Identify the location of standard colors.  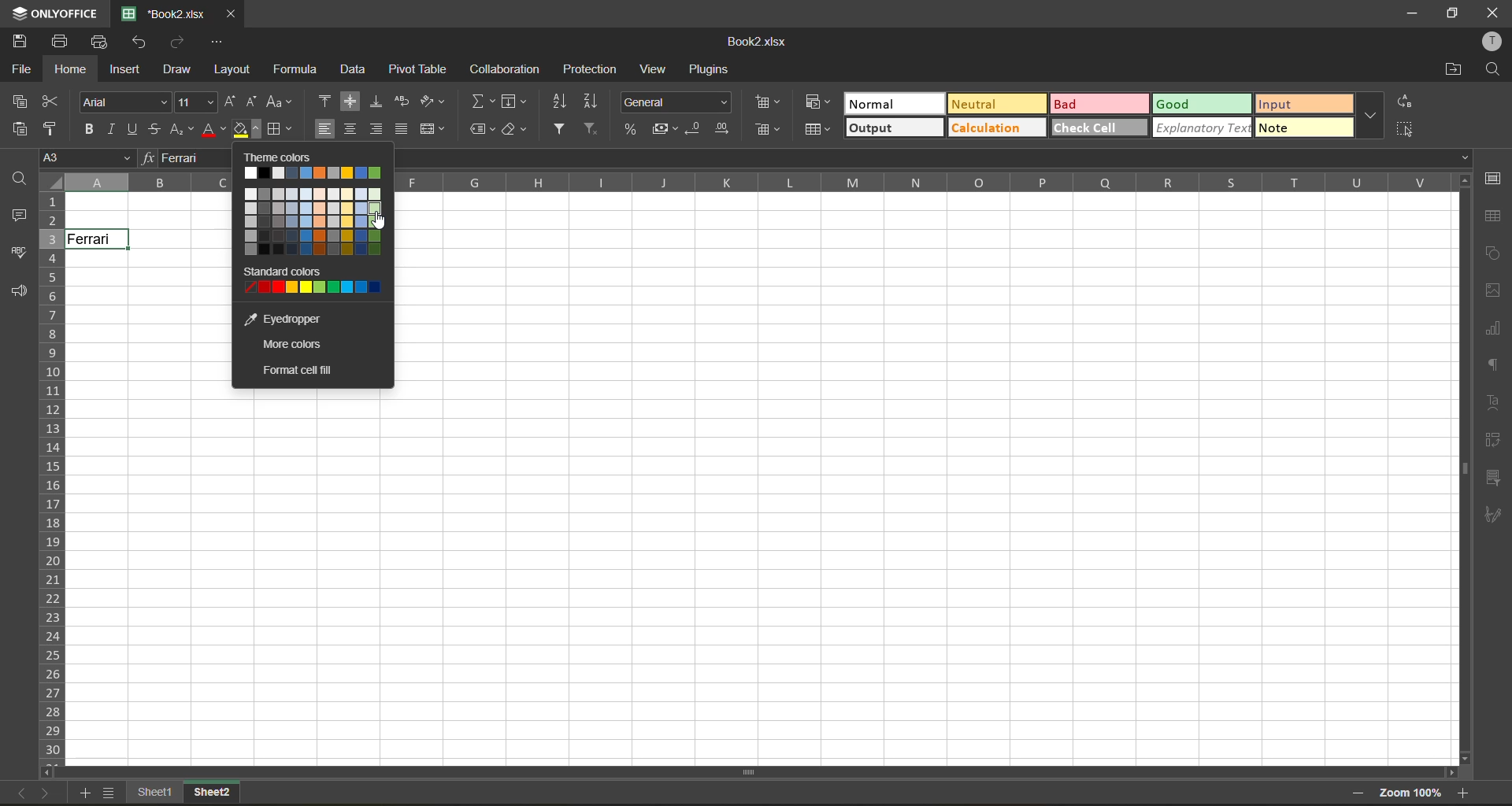
(313, 282).